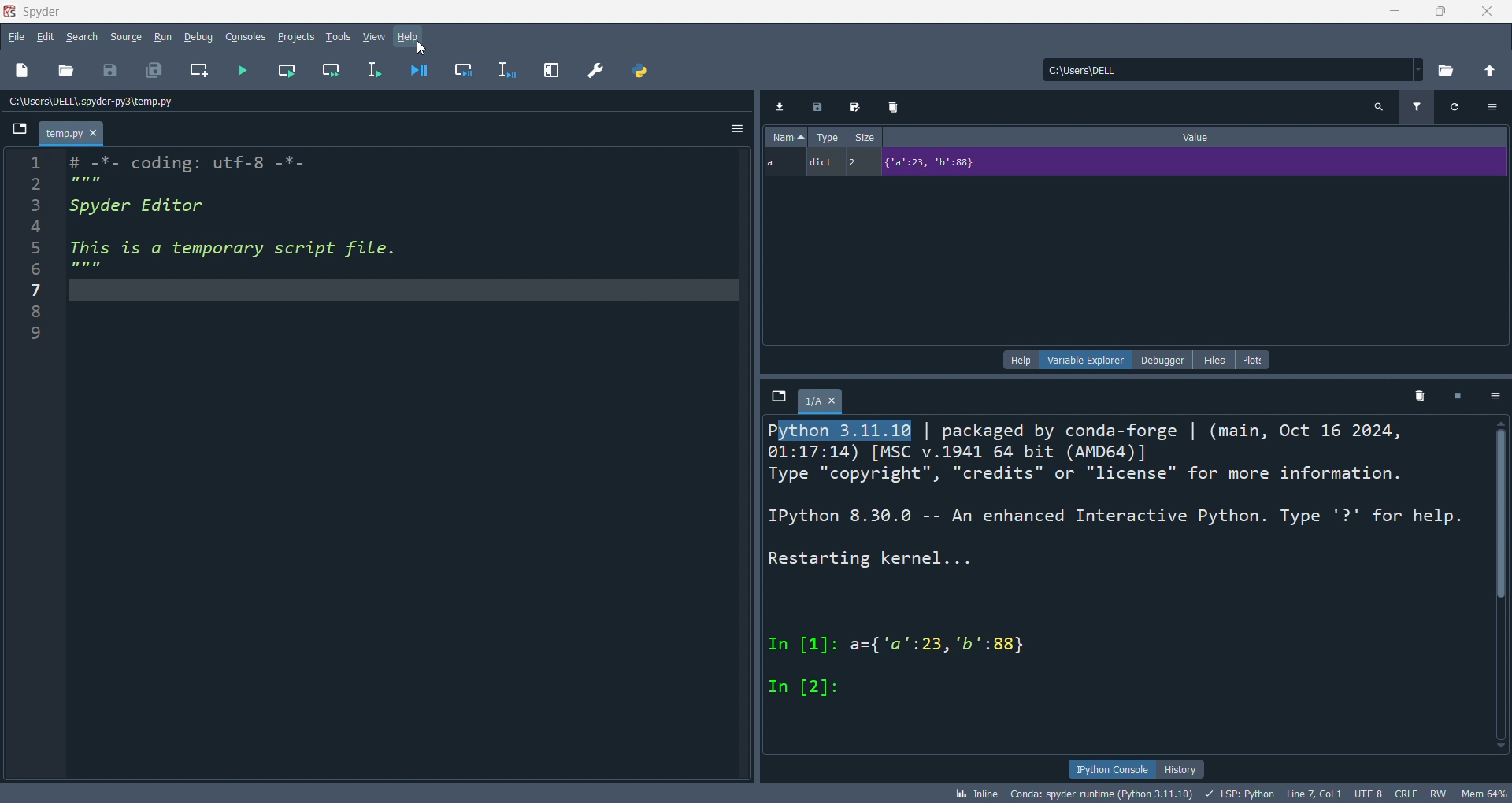 Image resolution: width=1512 pixels, height=803 pixels. Describe the element at coordinates (375, 38) in the screenshot. I see `view` at that location.